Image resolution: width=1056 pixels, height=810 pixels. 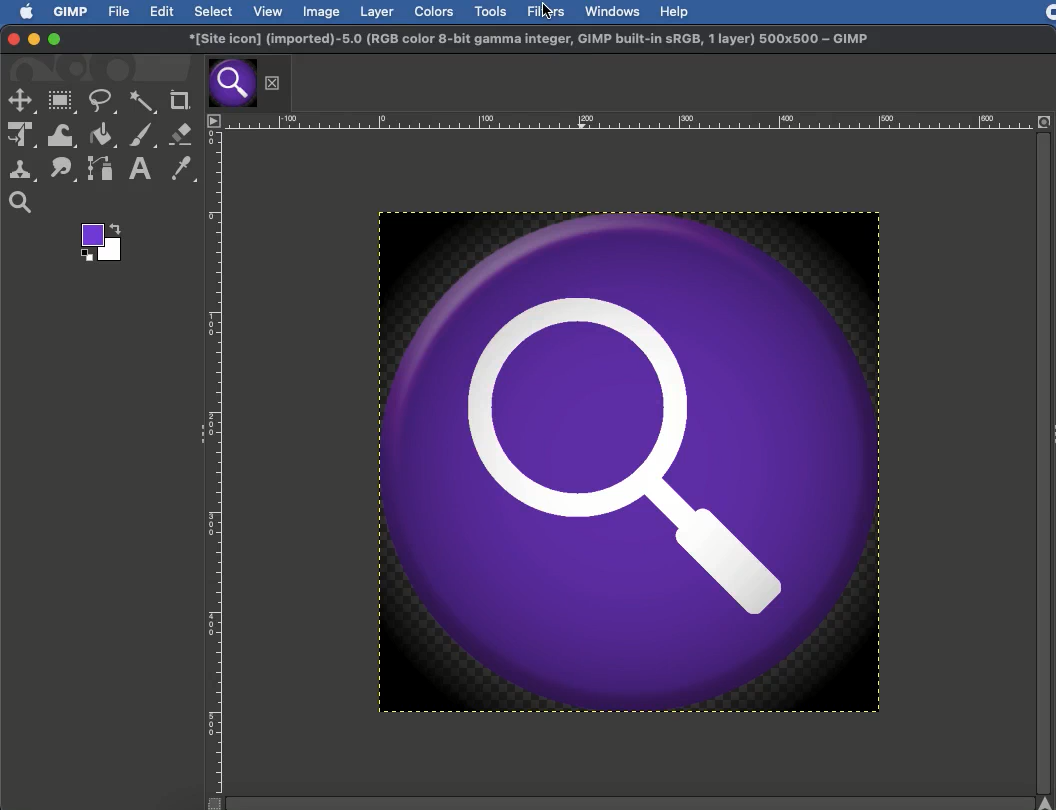 I want to click on cursor, so click(x=547, y=12).